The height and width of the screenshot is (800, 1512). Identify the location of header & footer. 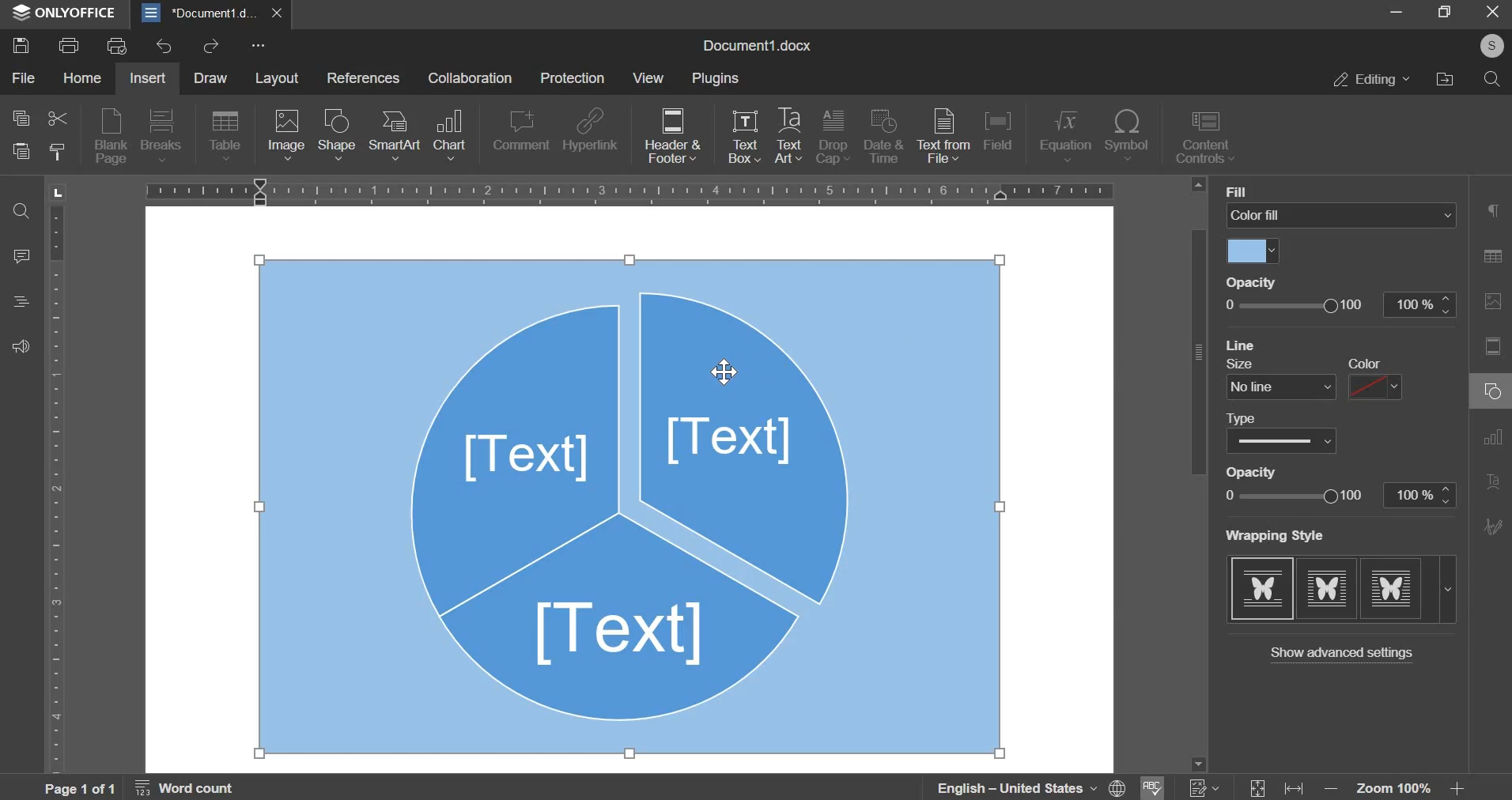
(673, 137).